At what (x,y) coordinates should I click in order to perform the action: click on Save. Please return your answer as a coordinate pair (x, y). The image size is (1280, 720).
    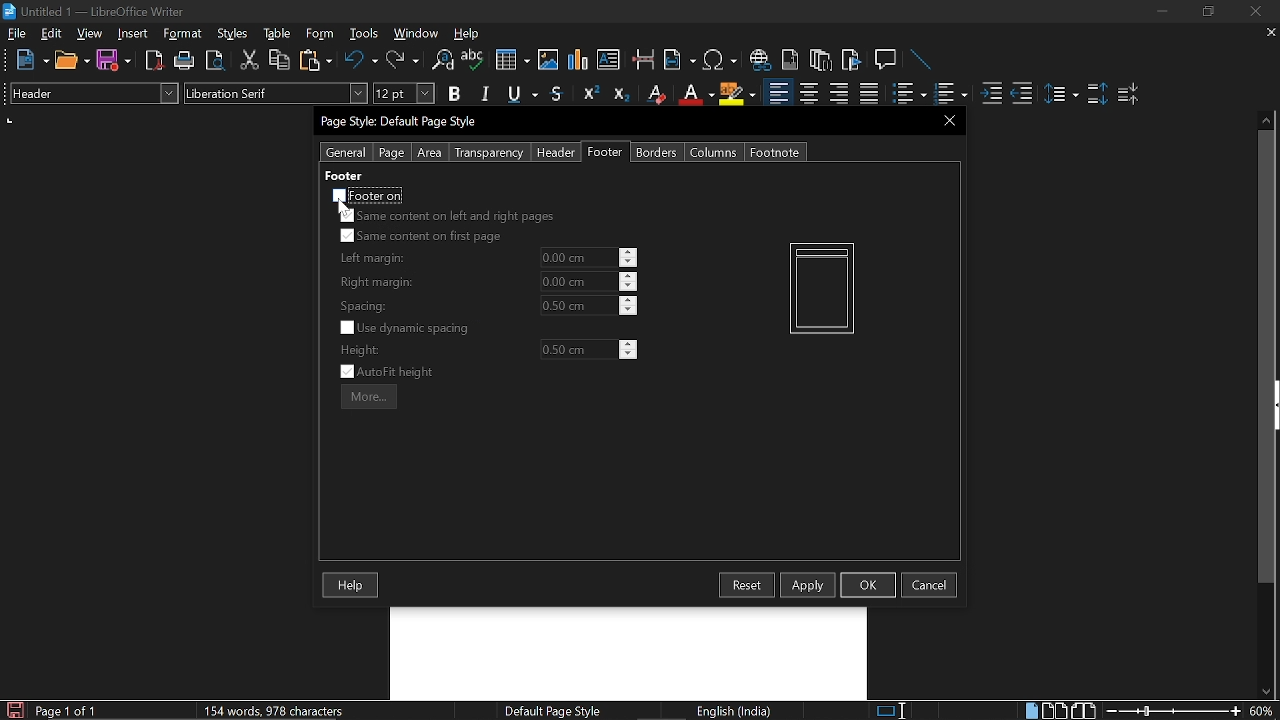
    Looking at the image, I should click on (114, 61).